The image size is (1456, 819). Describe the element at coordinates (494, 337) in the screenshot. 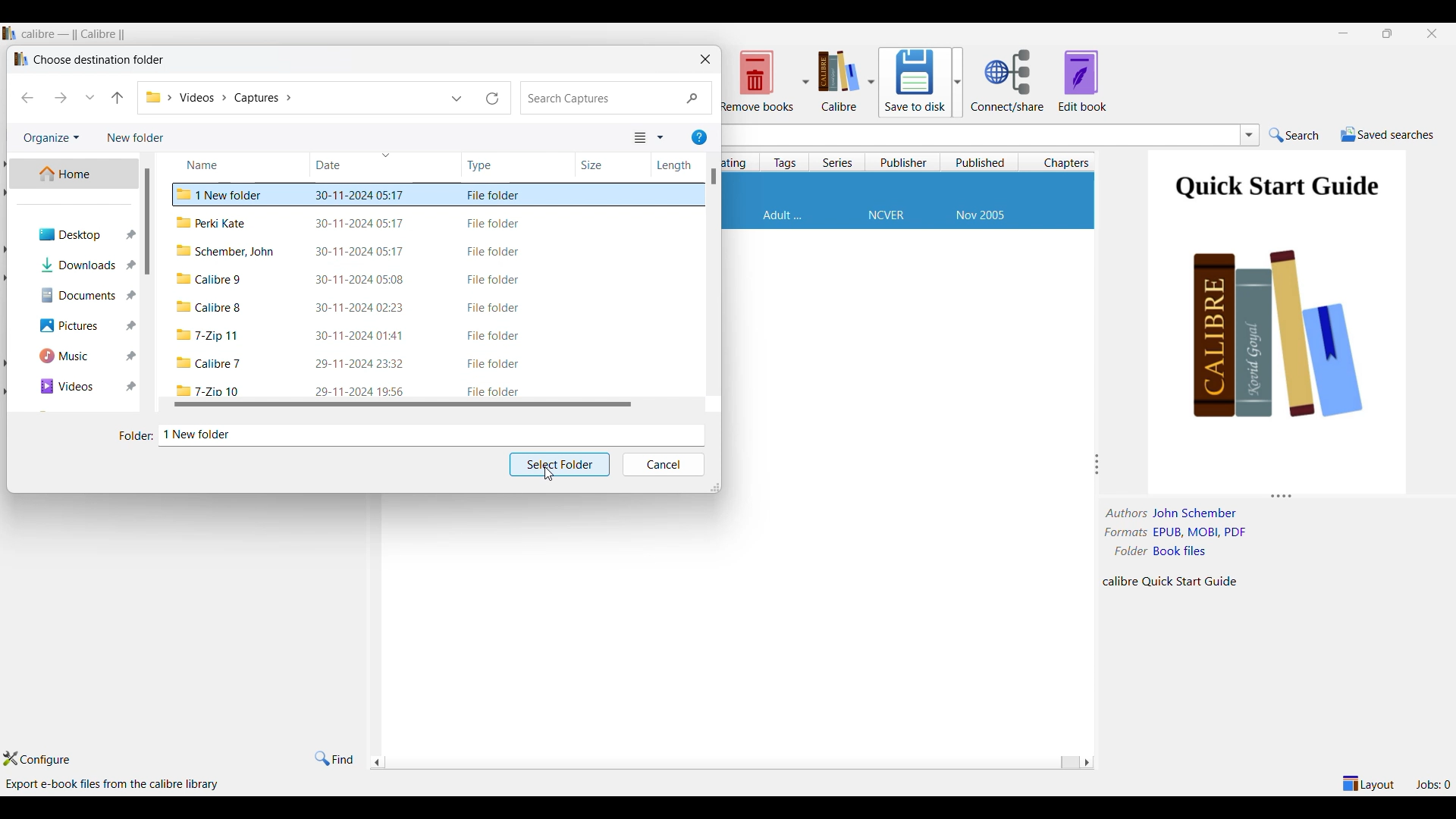

I see `file folder` at that location.